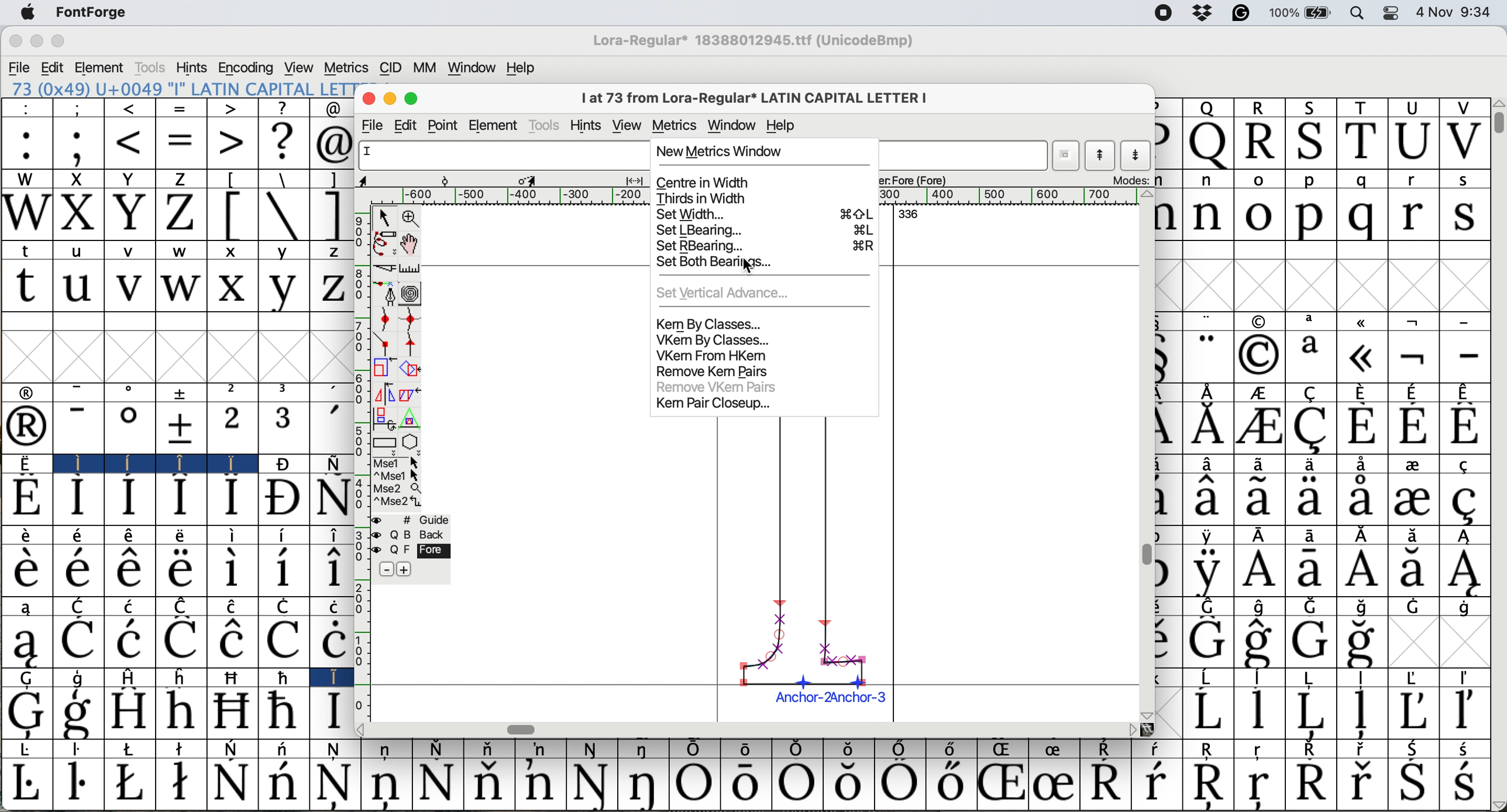 This screenshot has width=1507, height=812. What do you see at coordinates (1417, 749) in the screenshot?
I see `Symbol` at bounding box center [1417, 749].